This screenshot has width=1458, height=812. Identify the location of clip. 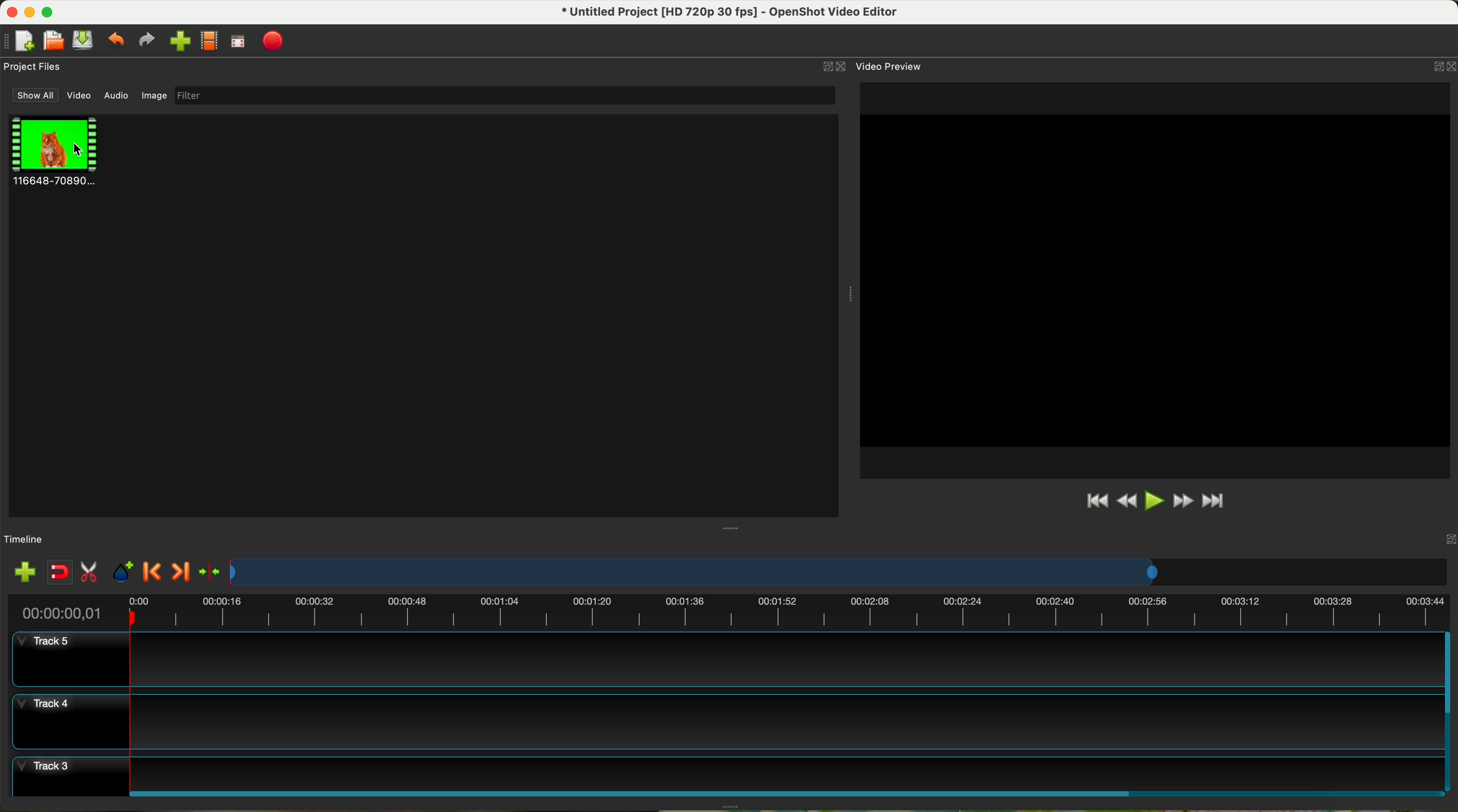
(51, 151).